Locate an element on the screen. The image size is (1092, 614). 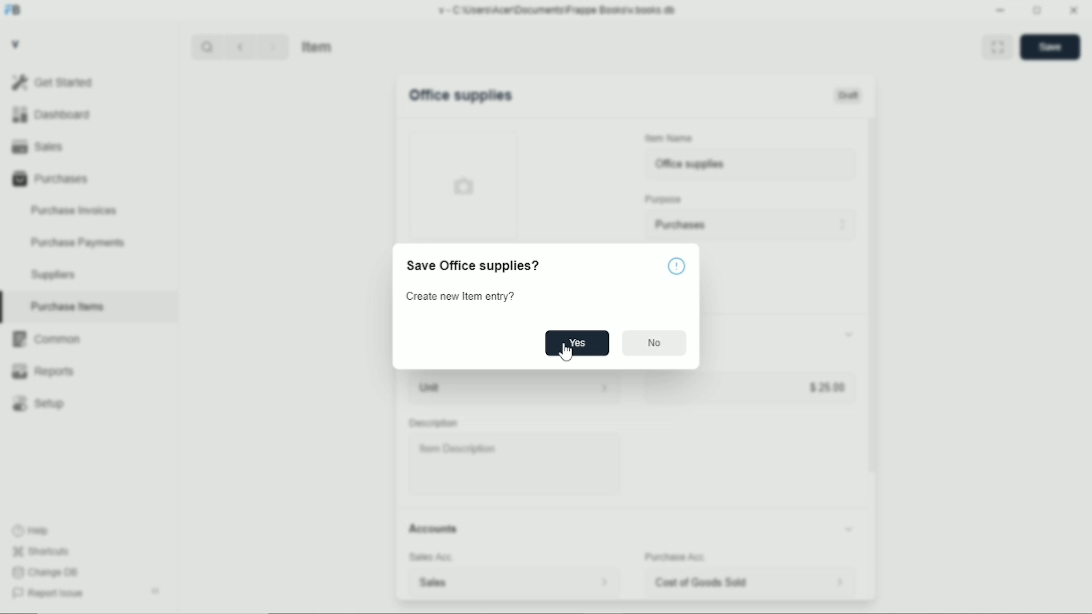
v-C:\Users\Acer\Documents\Frappe books\v.books.db is located at coordinates (558, 10).